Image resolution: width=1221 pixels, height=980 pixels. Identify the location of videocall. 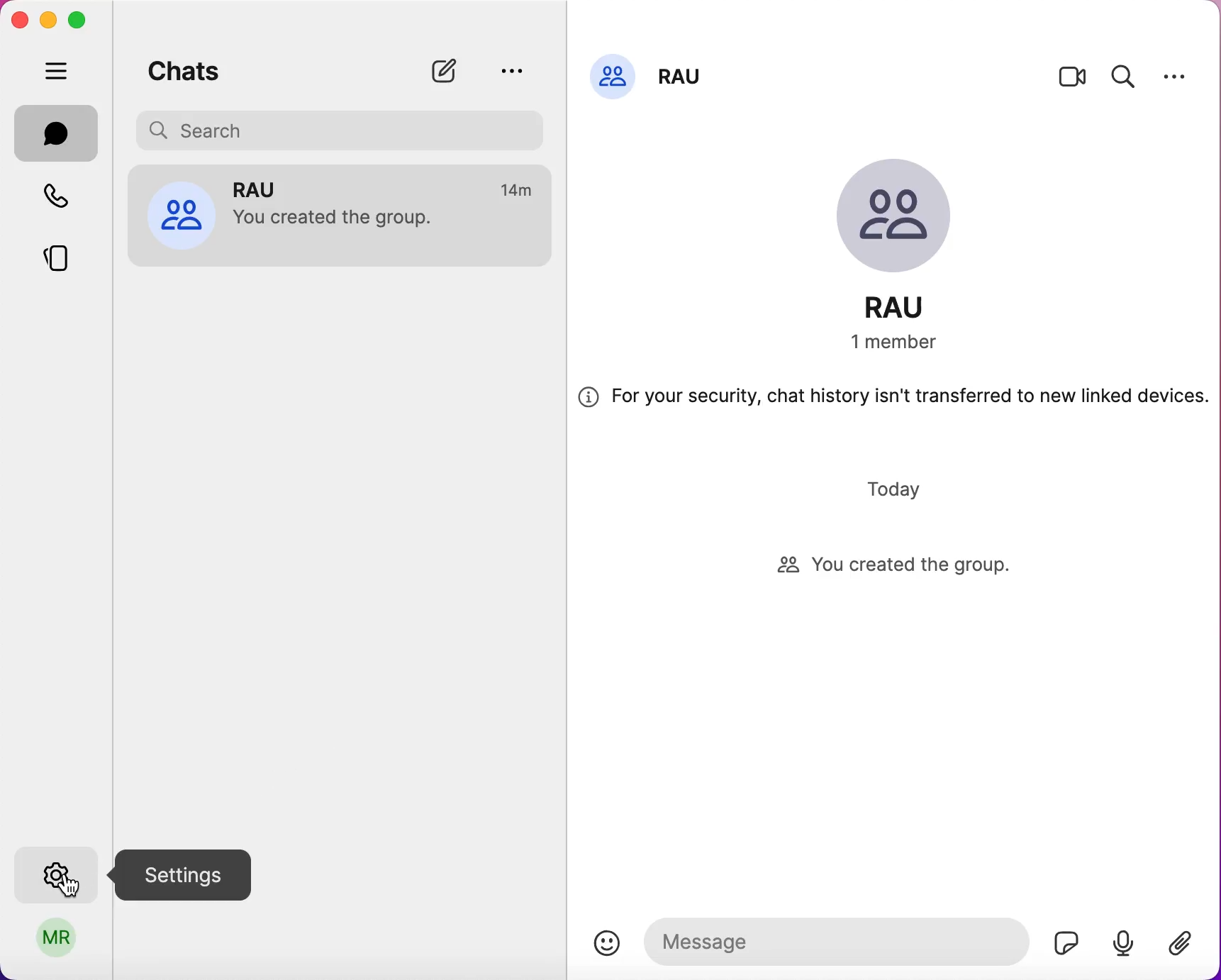
(1074, 78).